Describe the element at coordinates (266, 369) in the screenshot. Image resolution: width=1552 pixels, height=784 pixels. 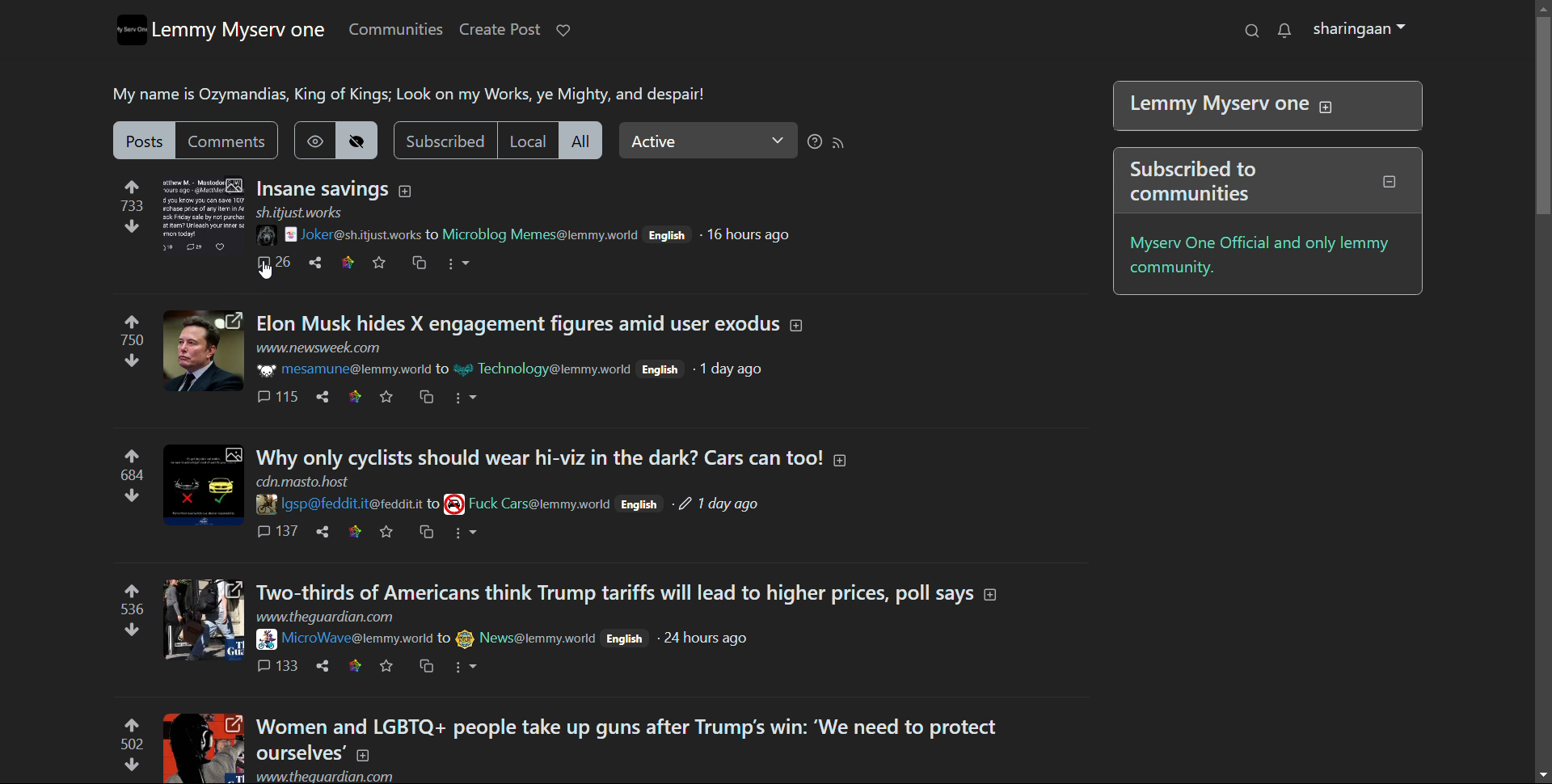
I see `image` at that location.